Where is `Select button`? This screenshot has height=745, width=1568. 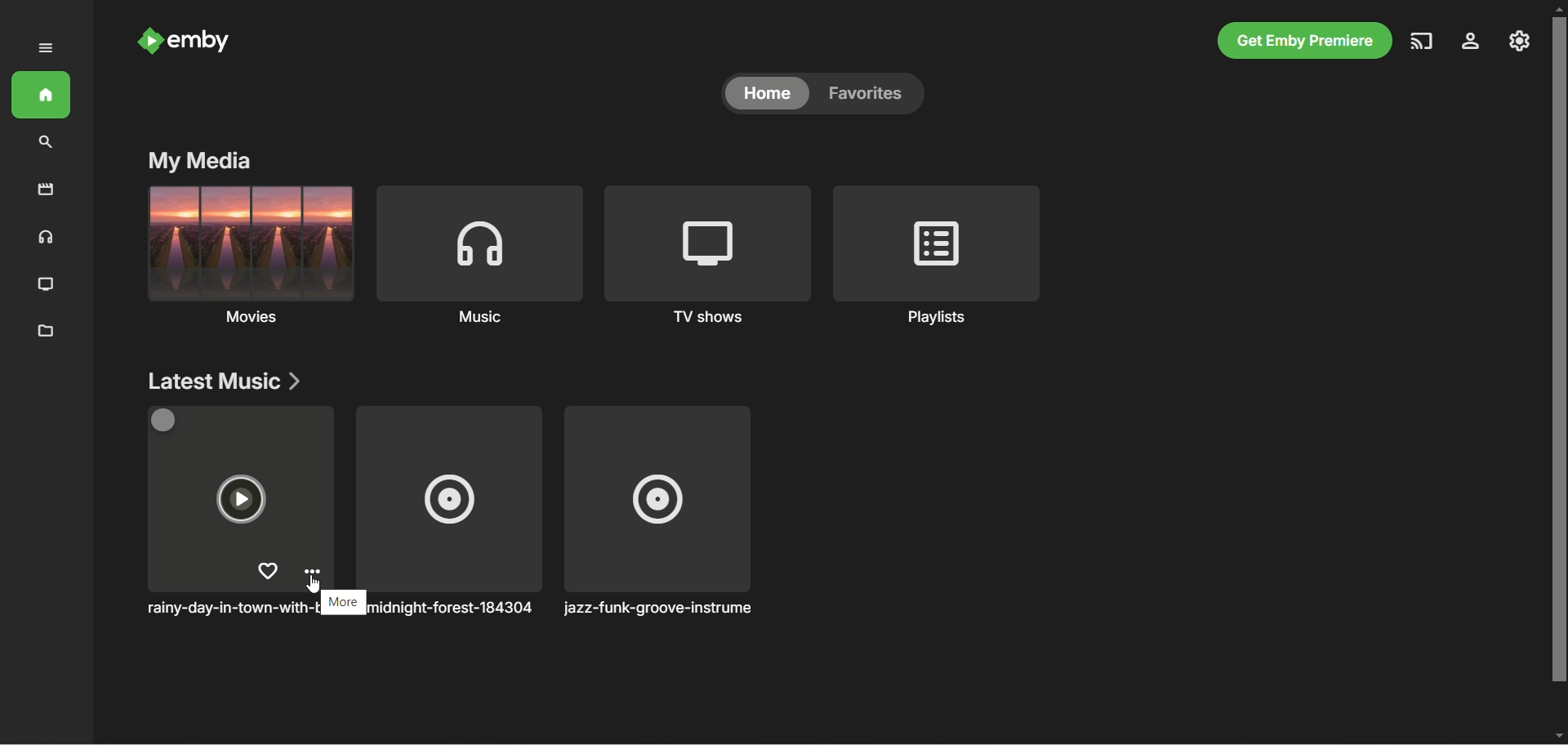
Select button is located at coordinates (165, 421).